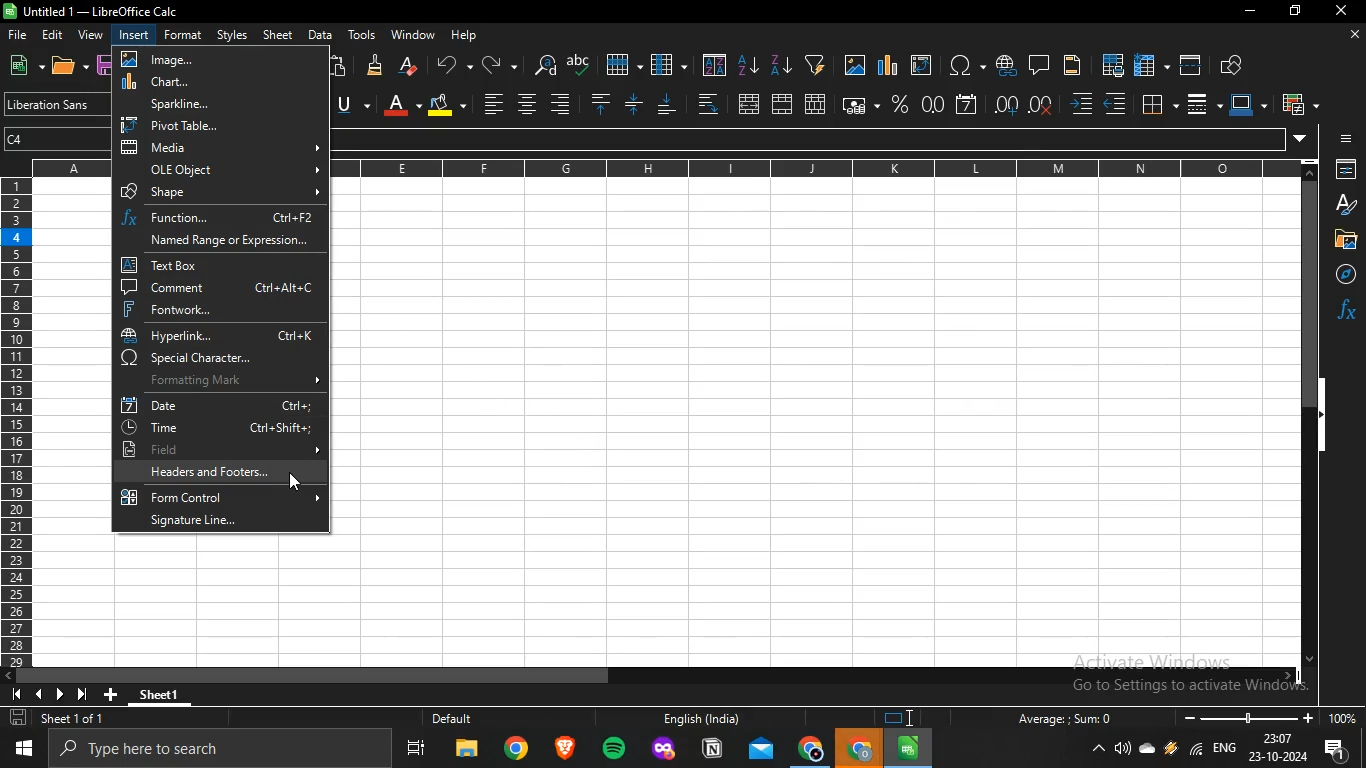 The image size is (1366, 768). What do you see at coordinates (967, 103) in the screenshot?
I see `format as date` at bounding box center [967, 103].